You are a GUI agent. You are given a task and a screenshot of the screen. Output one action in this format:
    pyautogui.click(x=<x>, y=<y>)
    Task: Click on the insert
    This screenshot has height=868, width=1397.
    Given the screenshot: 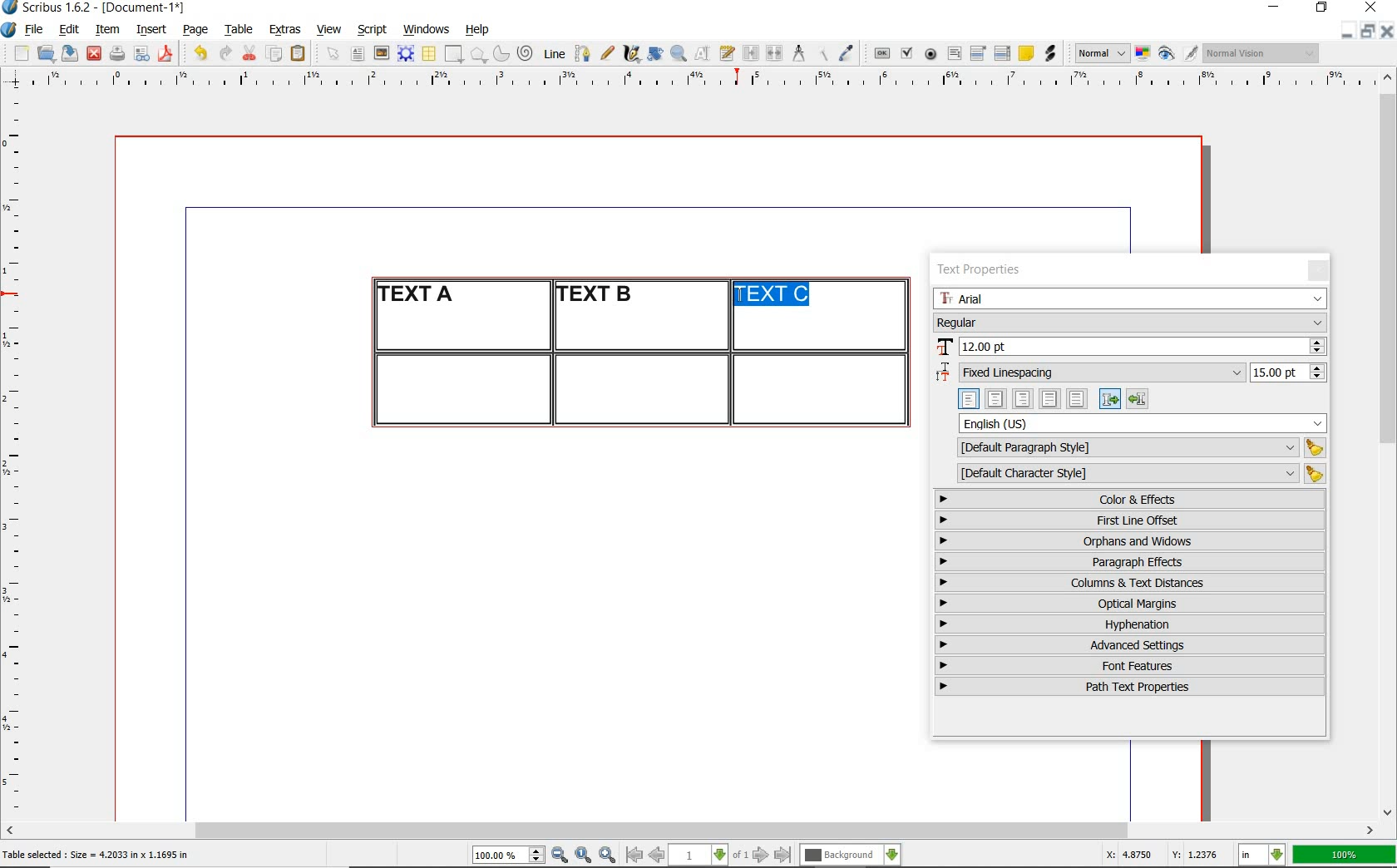 What is the action you would take?
    pyautogui.click(x=151, y=30)
    